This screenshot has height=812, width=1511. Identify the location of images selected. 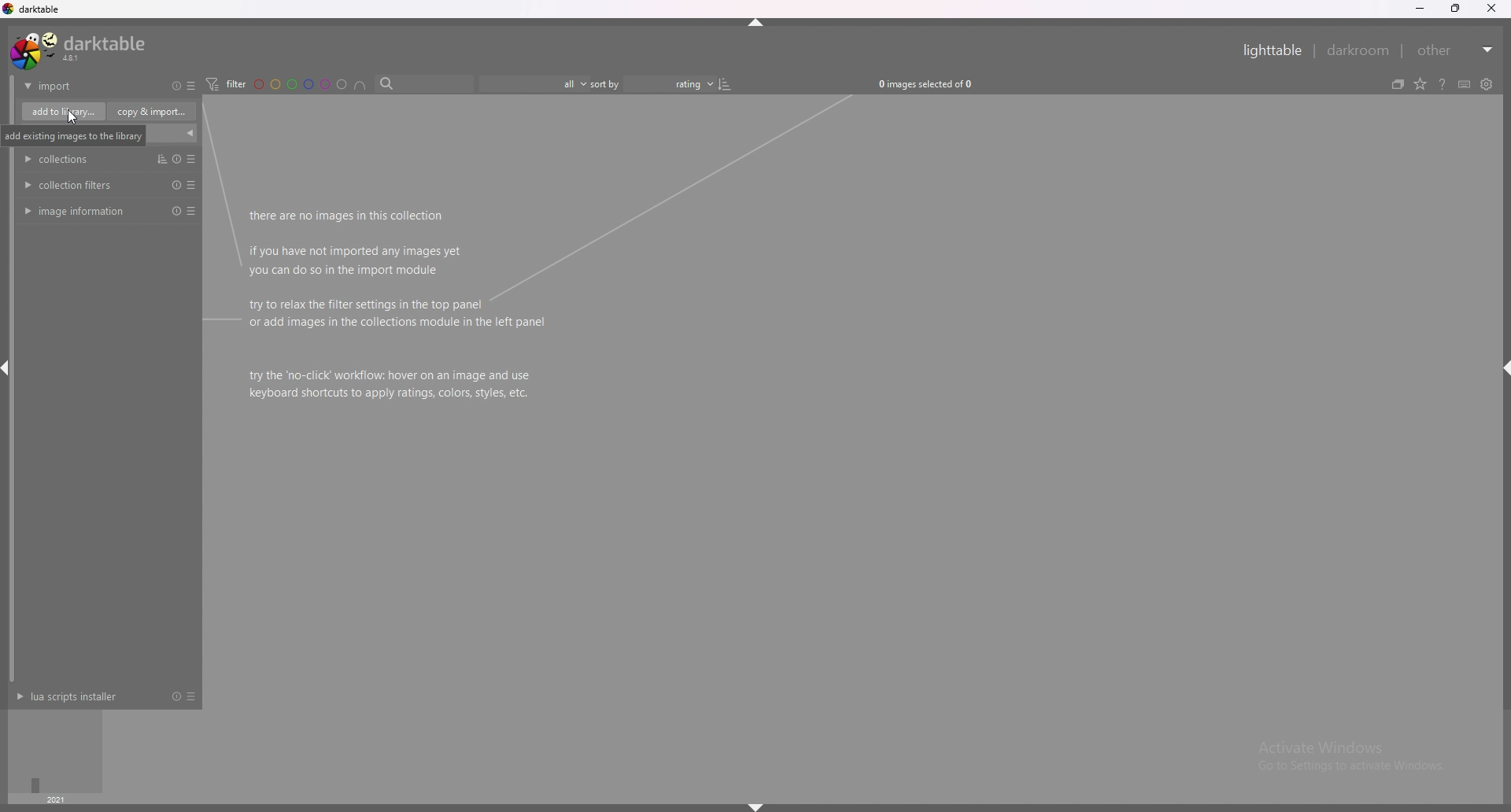
(930, 83).